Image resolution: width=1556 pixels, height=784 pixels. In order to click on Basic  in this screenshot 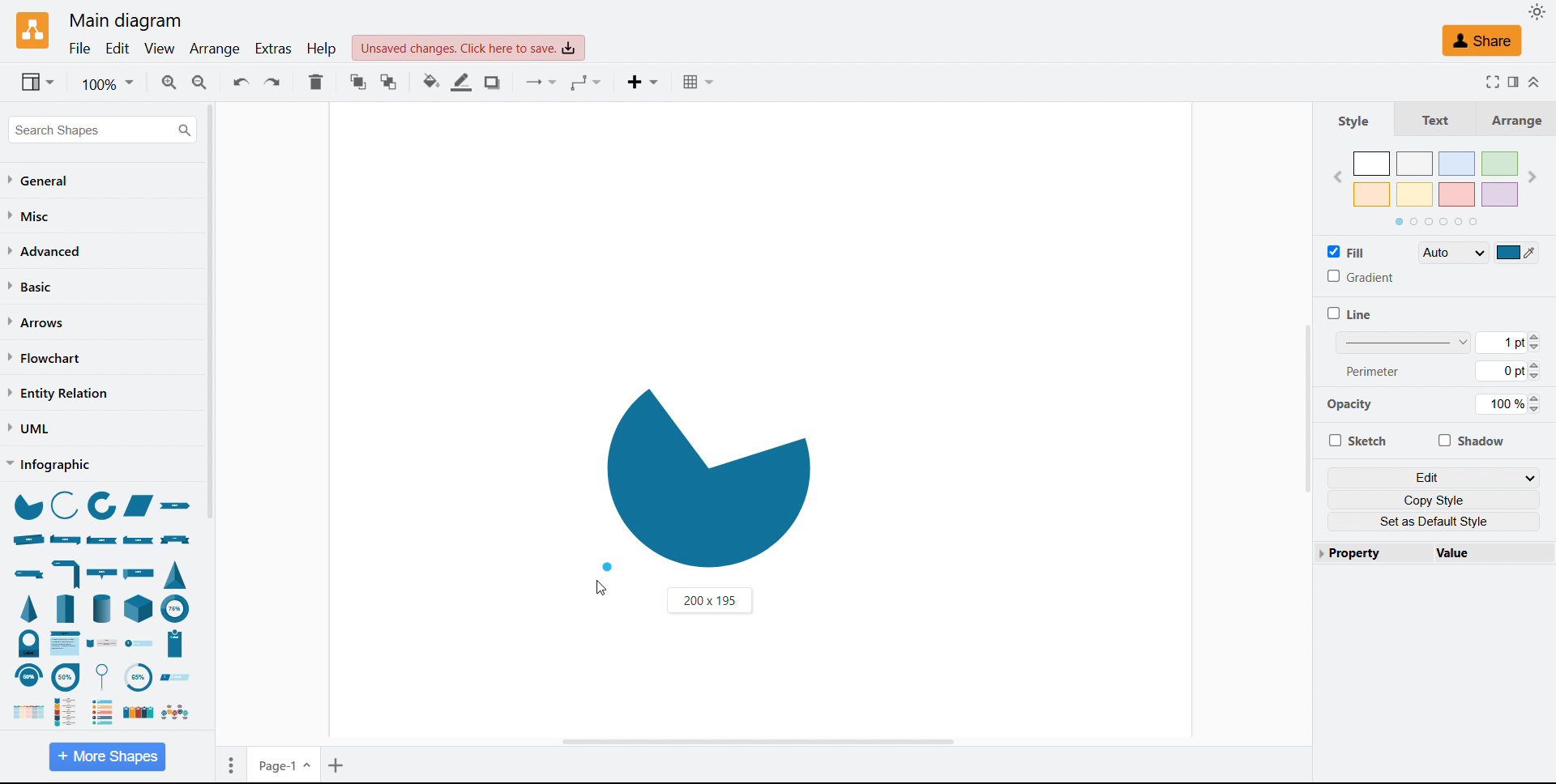, I will do `click(32, 286)`.